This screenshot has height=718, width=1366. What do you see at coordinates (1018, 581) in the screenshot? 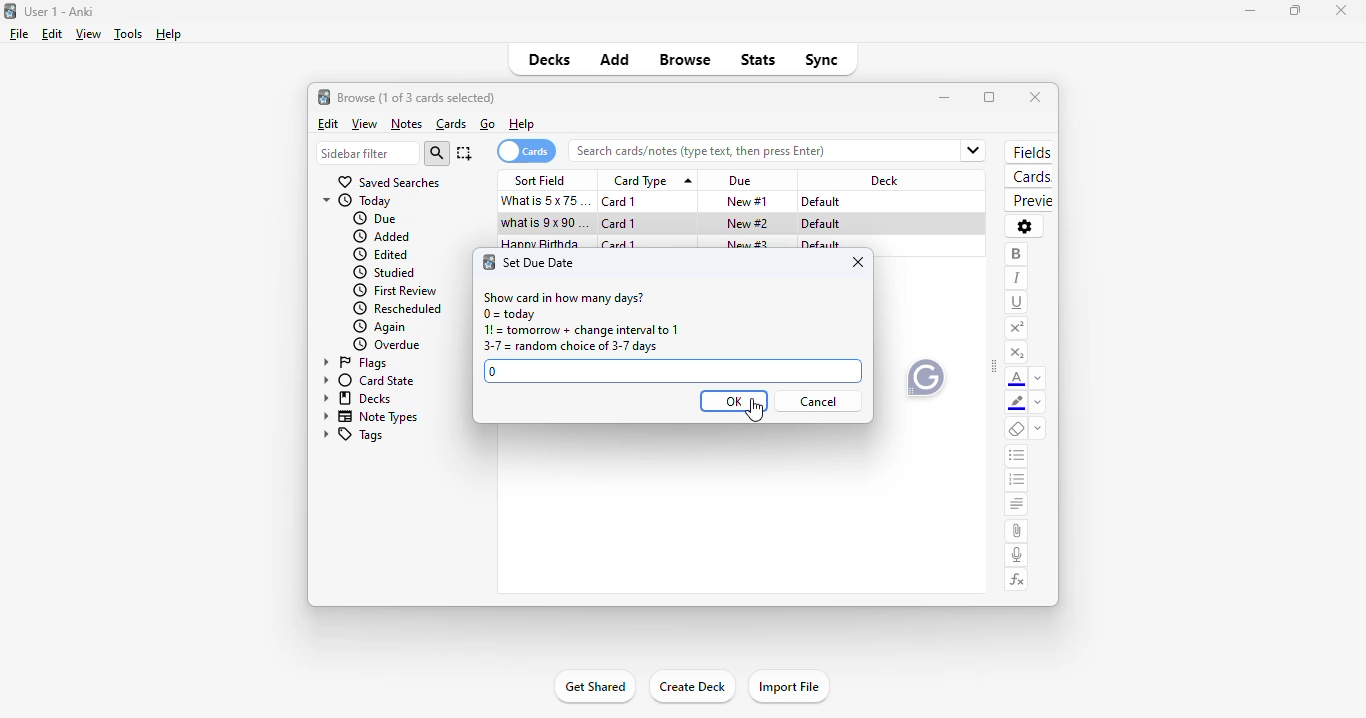
I see `equations` at bounding box center [1018, 581].